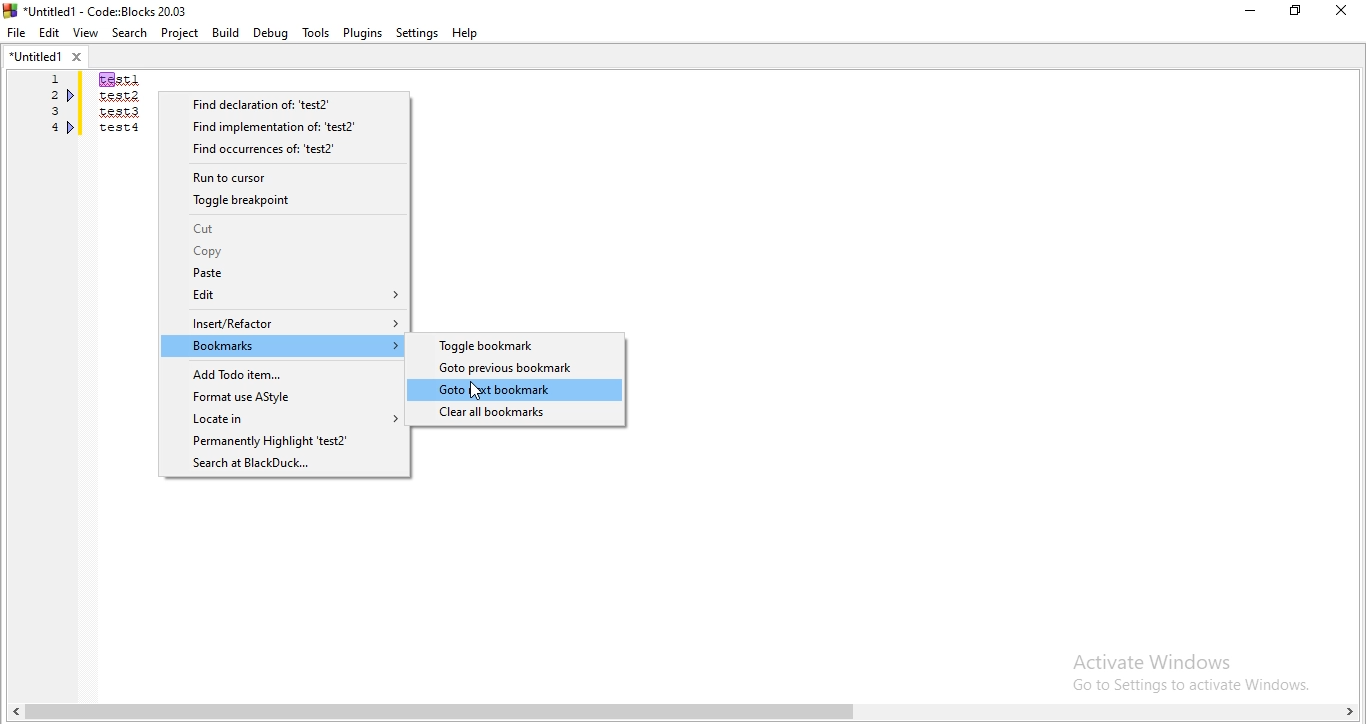  I want to click on Find occurrences of: 'test2', so click(289, 150).